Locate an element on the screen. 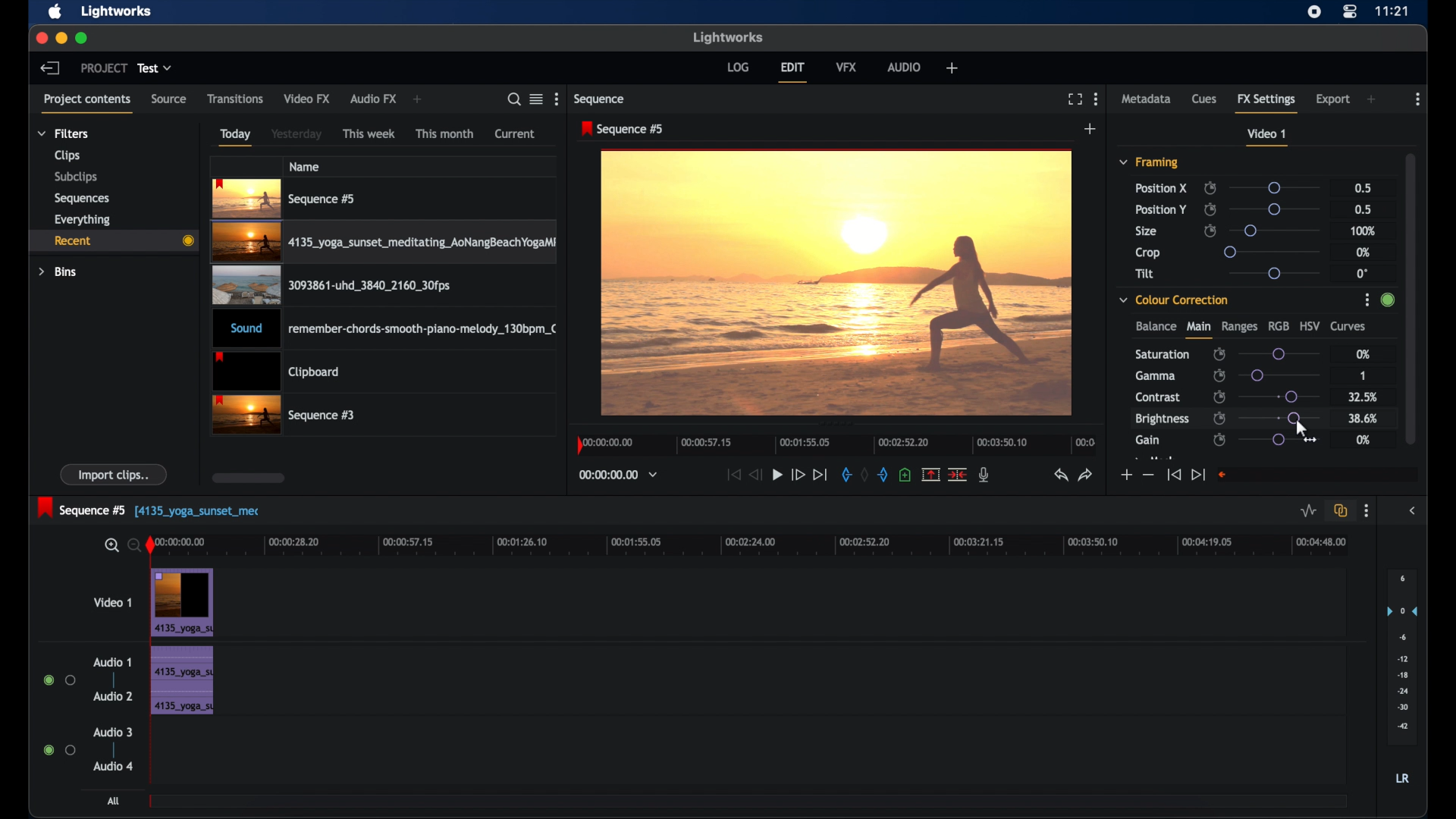  export is located at coordinates (1334, 99).